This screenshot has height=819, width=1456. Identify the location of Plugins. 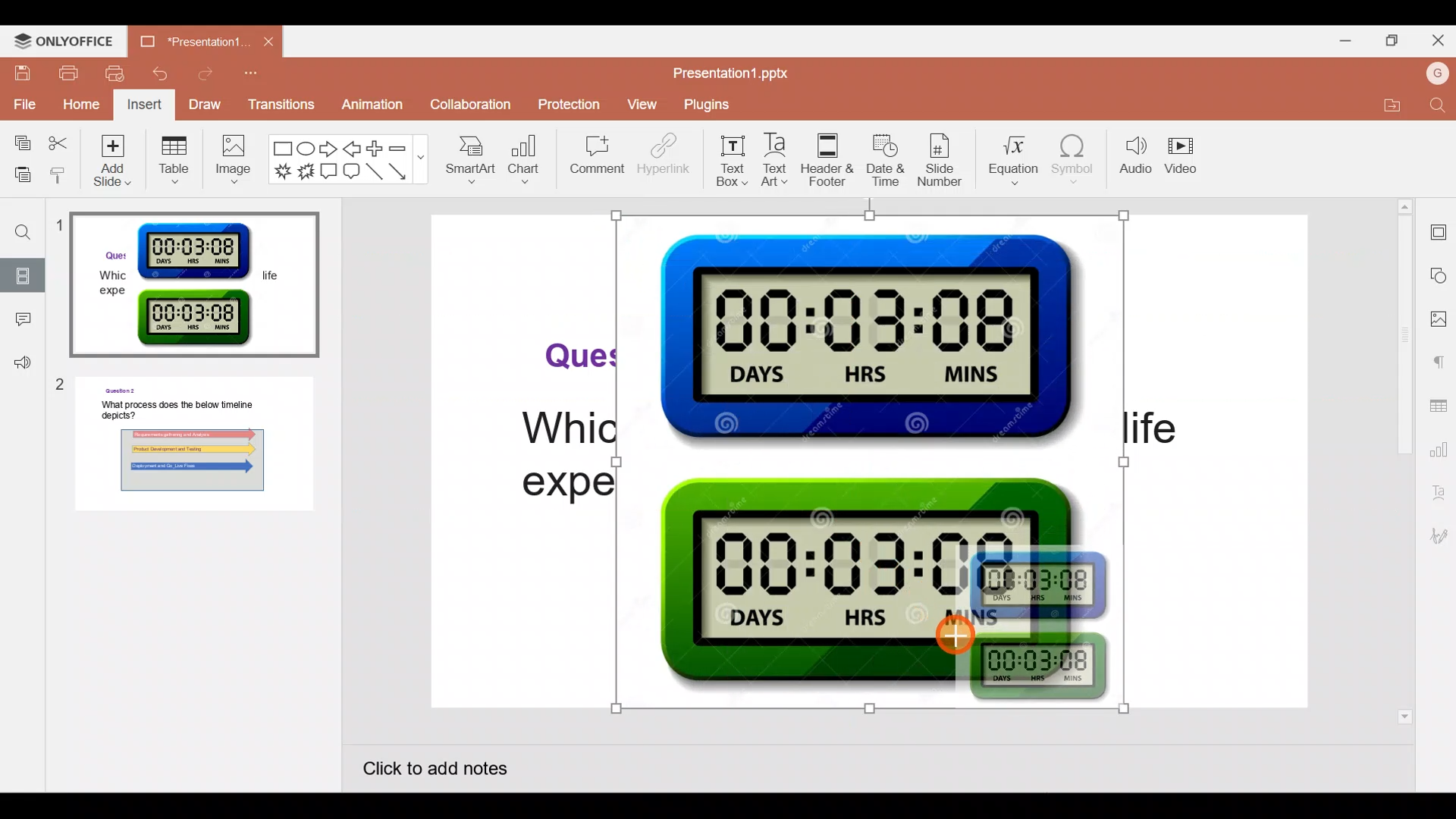
(700, 105).